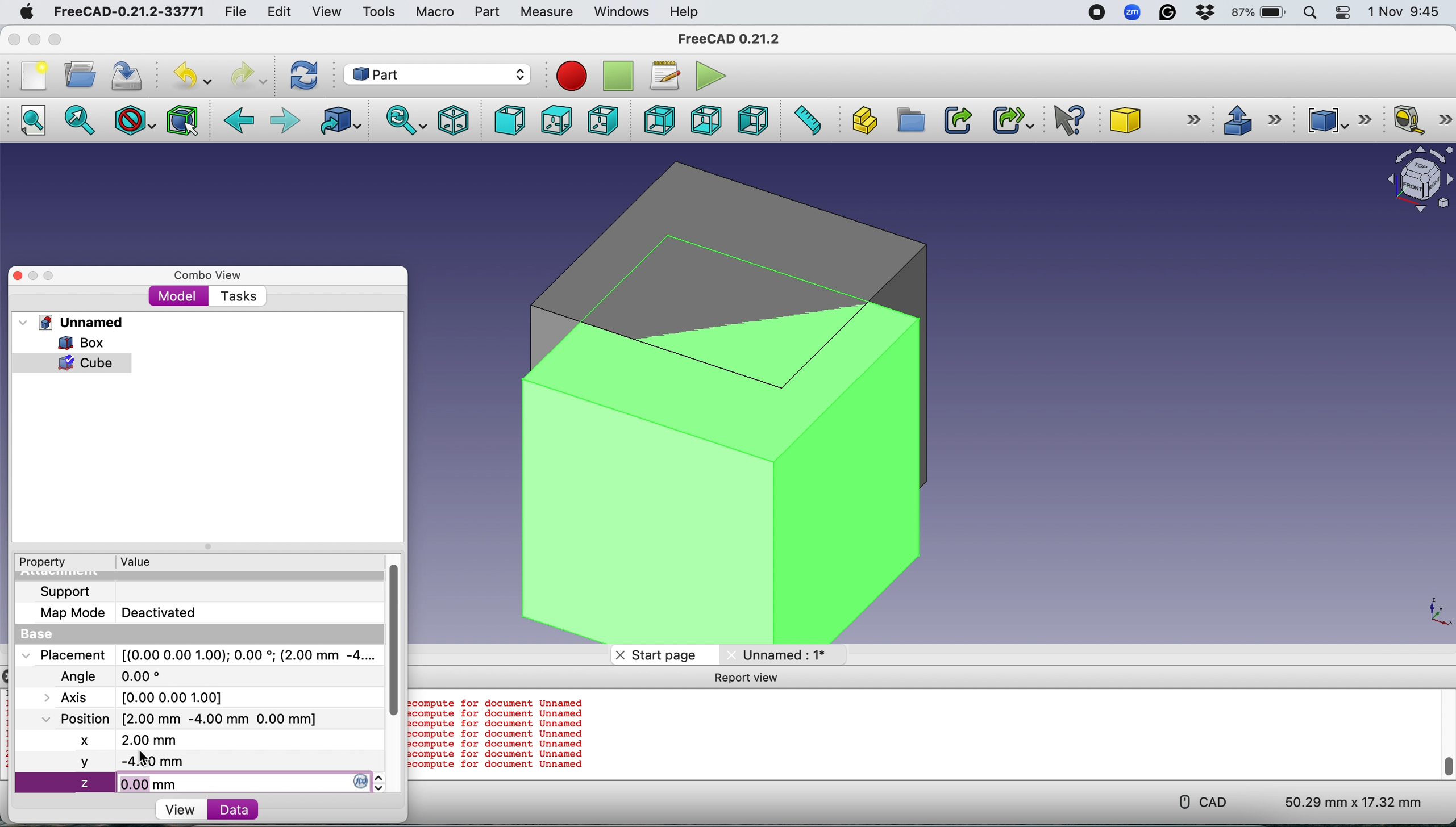 This screenshot has width=1456, height=827. I want to click on 87% battery, so click(1260, 13).